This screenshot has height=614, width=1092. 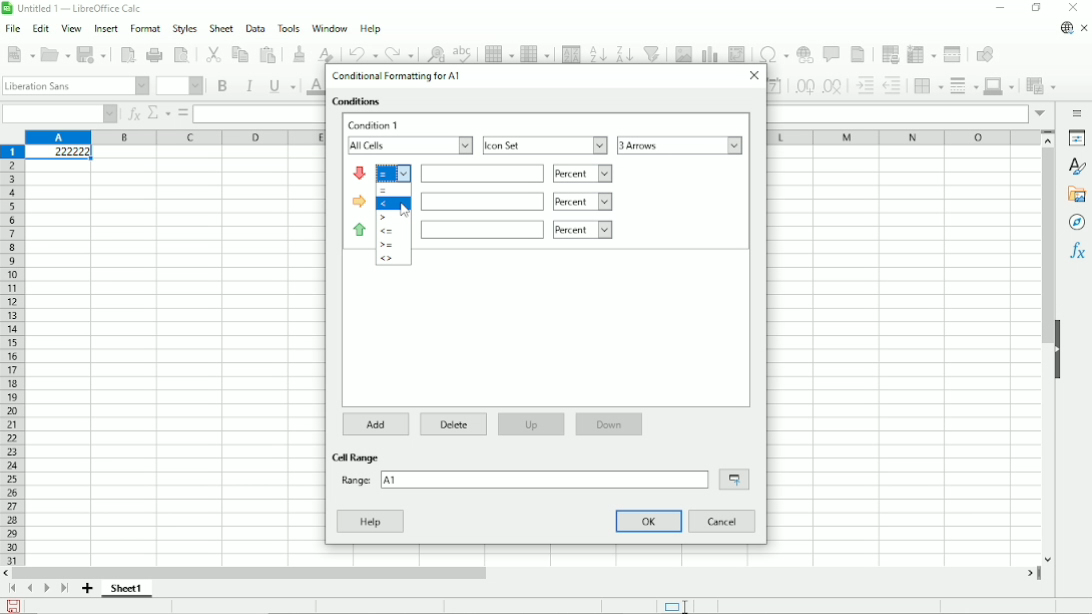 I want to click on Freeze columns and rows, so click(x=921, y=53).